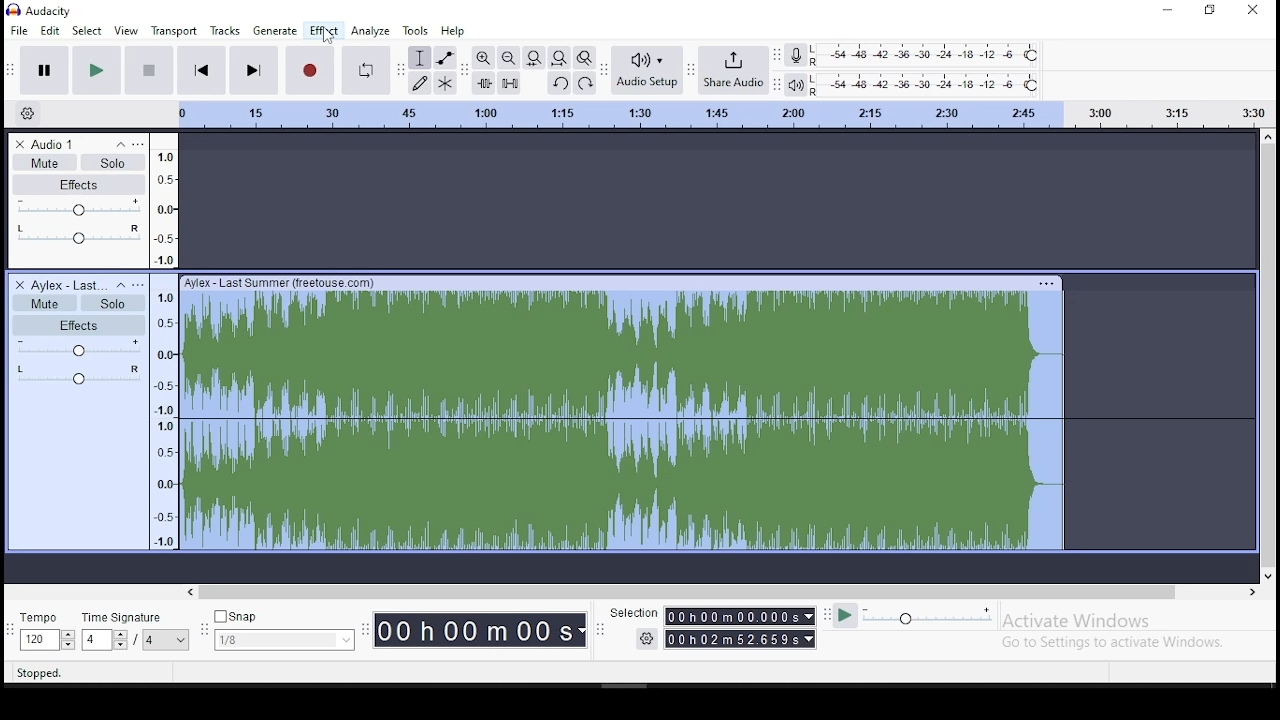 Image resolution: width=1280 pixels, height=720 pixels. I want to click on collapse, so click(121, 286).